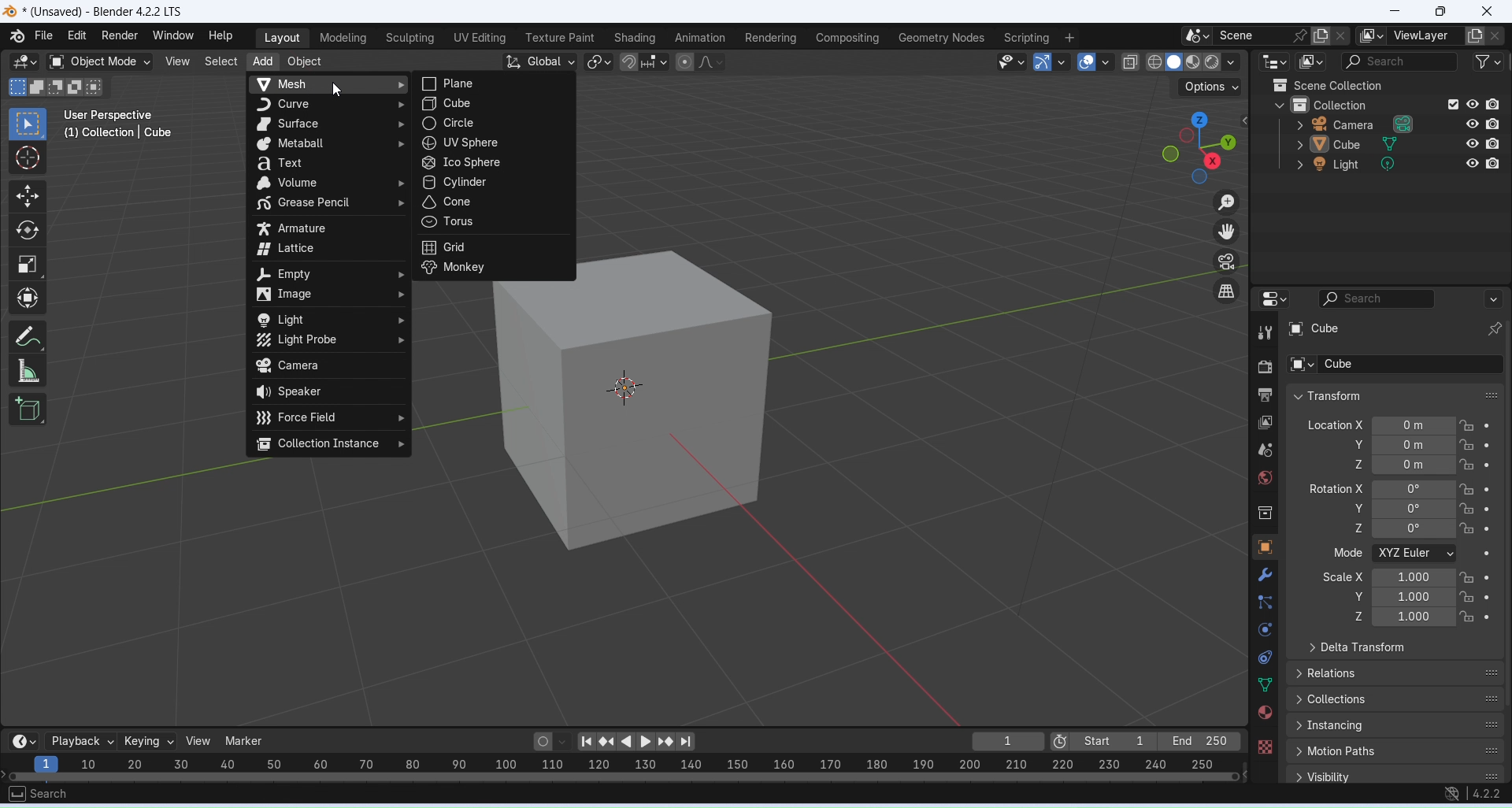 This screenshot has width=1512, height=808. What do you see at coordinates (542, 740) in the screenshot?
I see `Auto keying` at bounding box center [542, 740].